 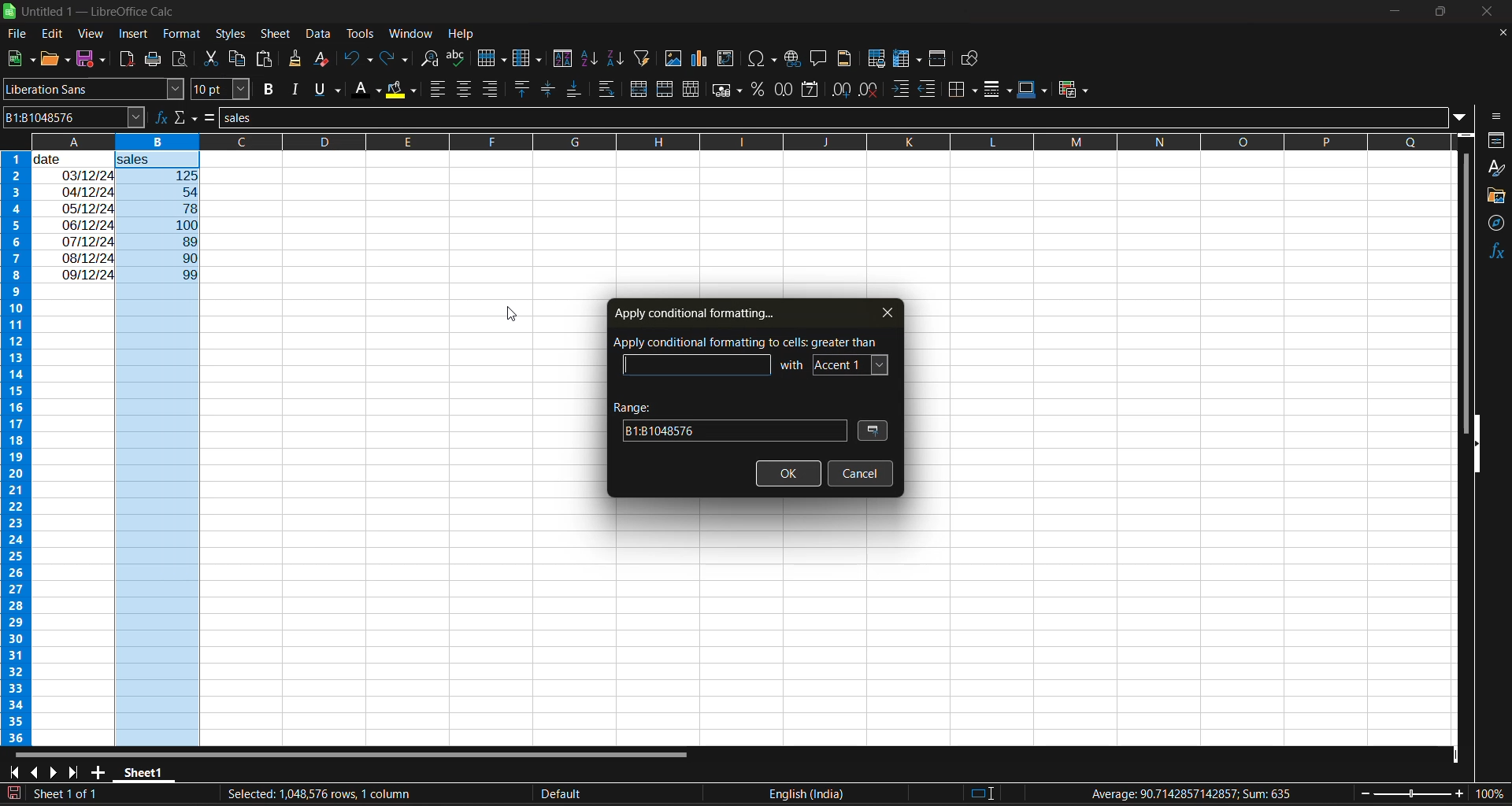 I want to click on copy, so click(x=239, y=58).